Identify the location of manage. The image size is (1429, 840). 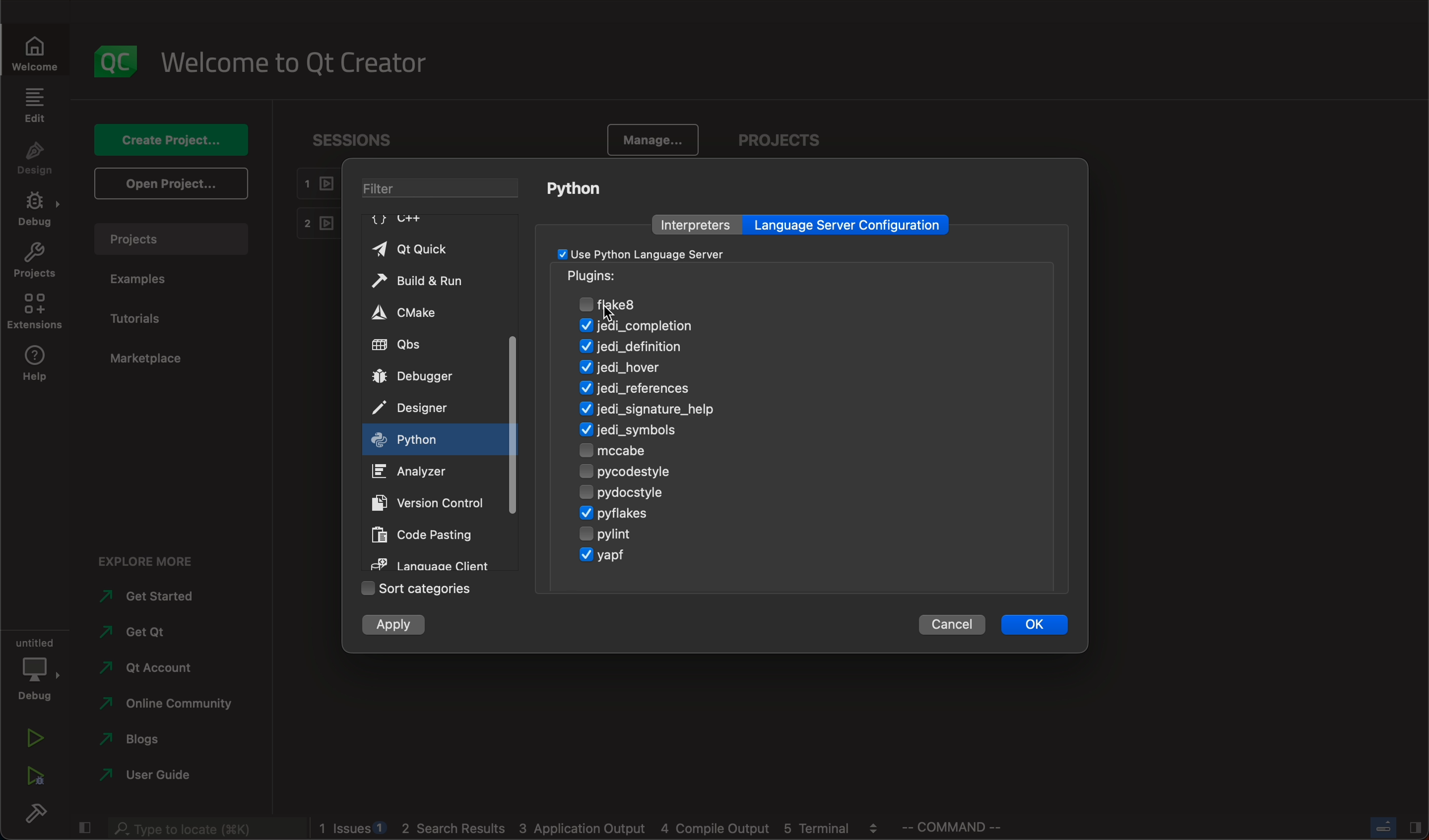
(653, 139).